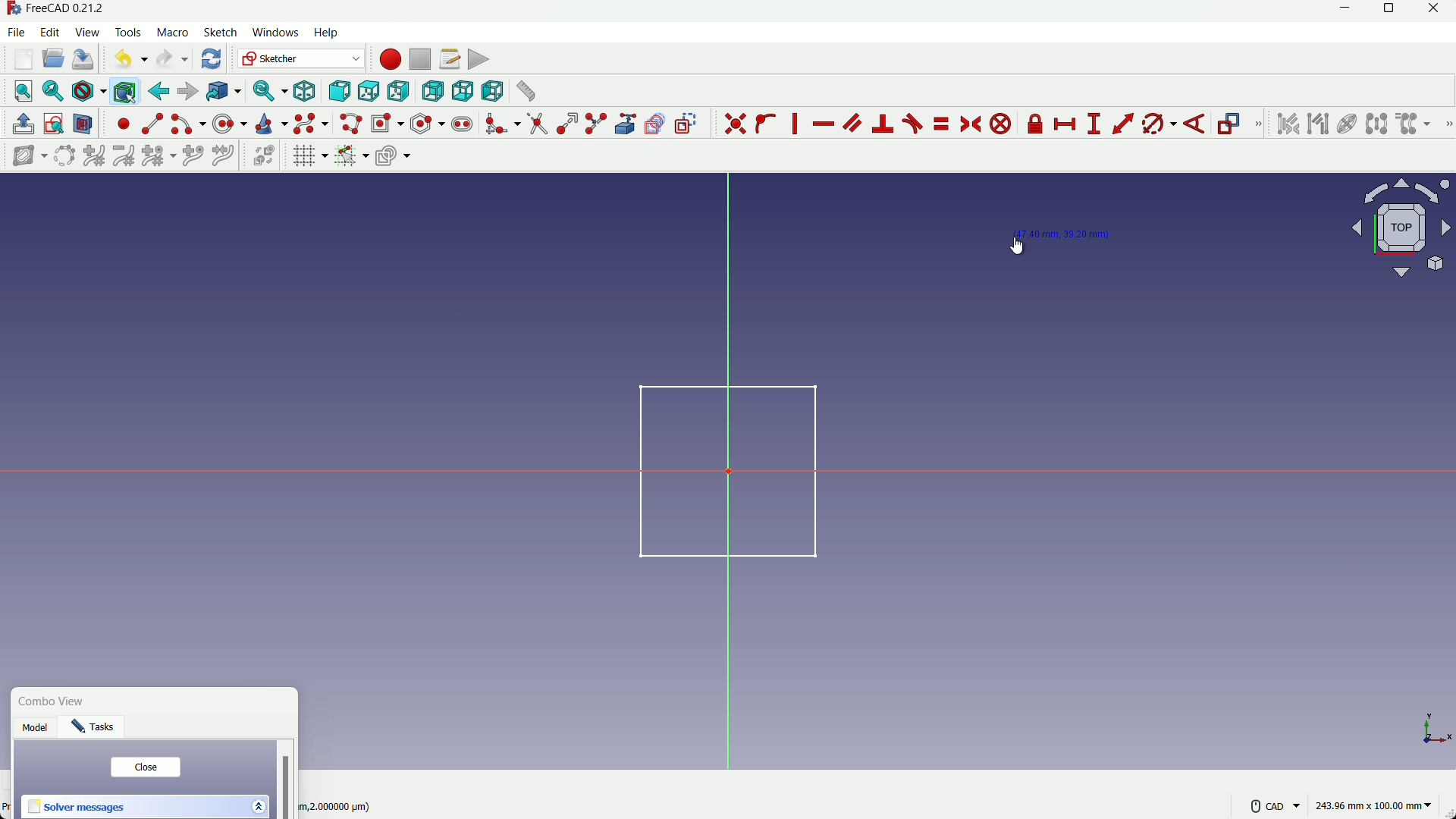 The height and width of the screenshot is (819, 1456). What do you see at coordinates (51, 31) in the screenshot?
I see `edit menu` at bounding box center [51, 31].